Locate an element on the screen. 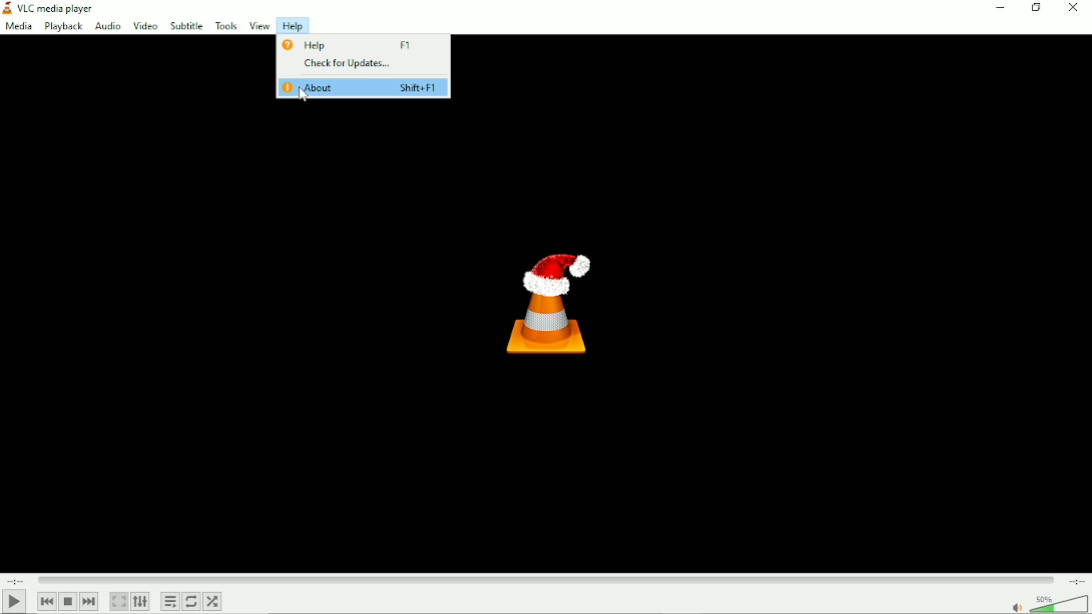 The width and height of the screenshot is (1092, 614). Play duration is located at coordinates (545, 581).